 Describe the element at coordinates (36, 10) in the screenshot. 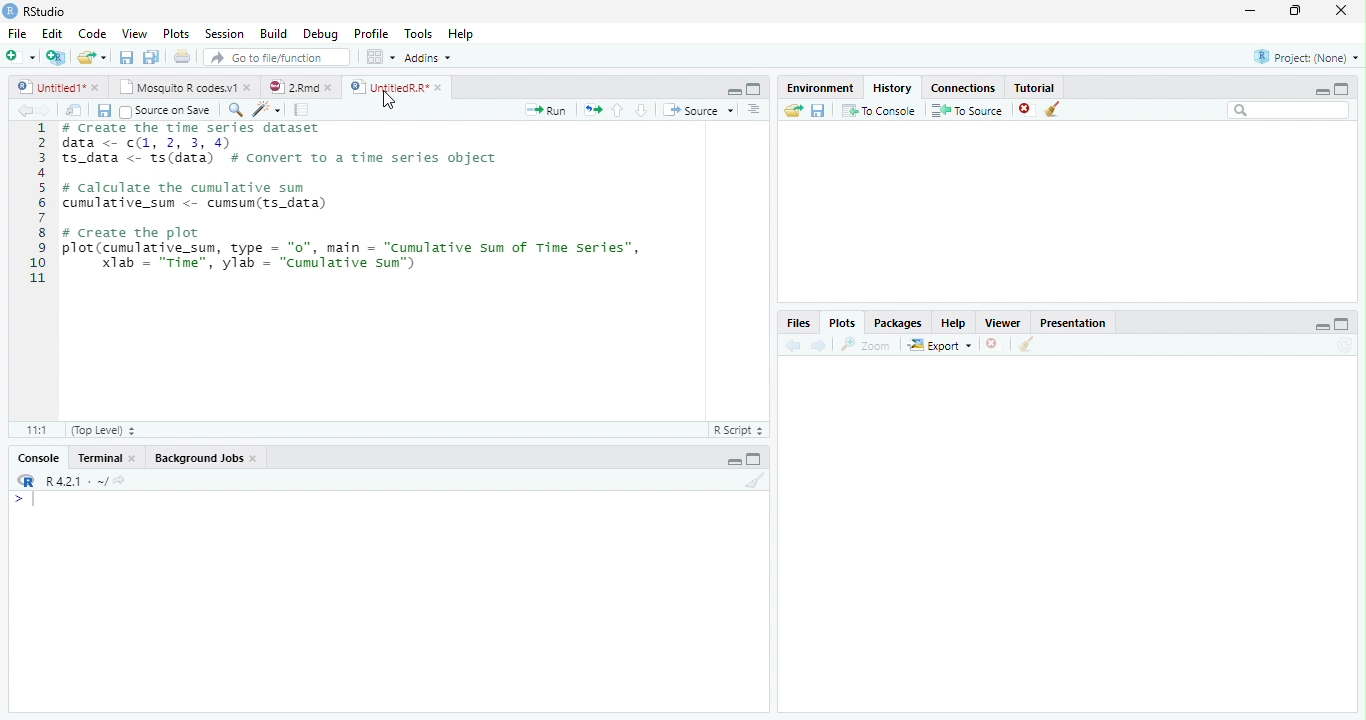

I see `Rstudio` at that location.